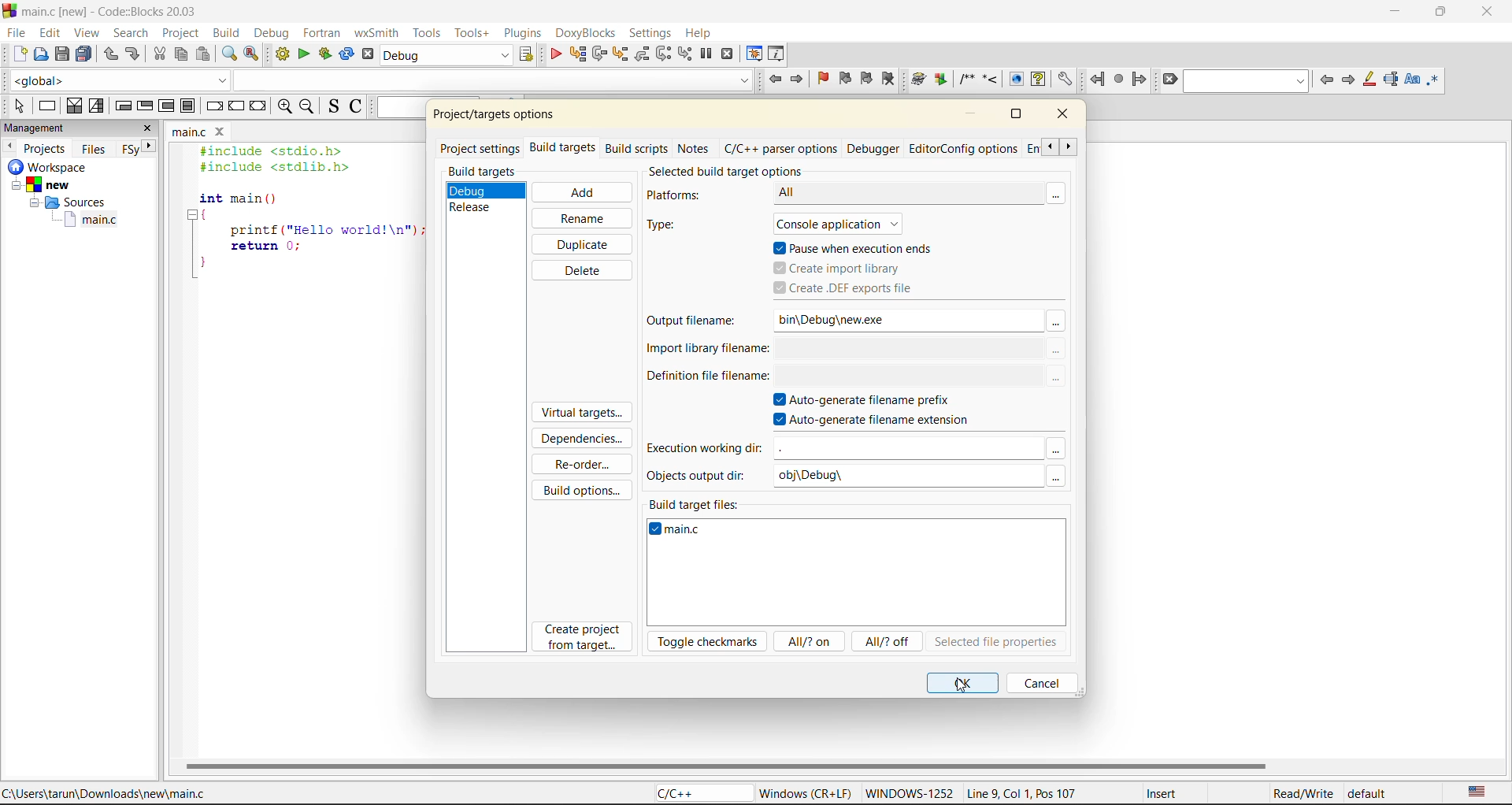 The width and height of the screenshot is (1512, 805). What do you see at coordinates (1393, 79) in the screenshot?
I see `selected text` at bounding box center [1393, 79].